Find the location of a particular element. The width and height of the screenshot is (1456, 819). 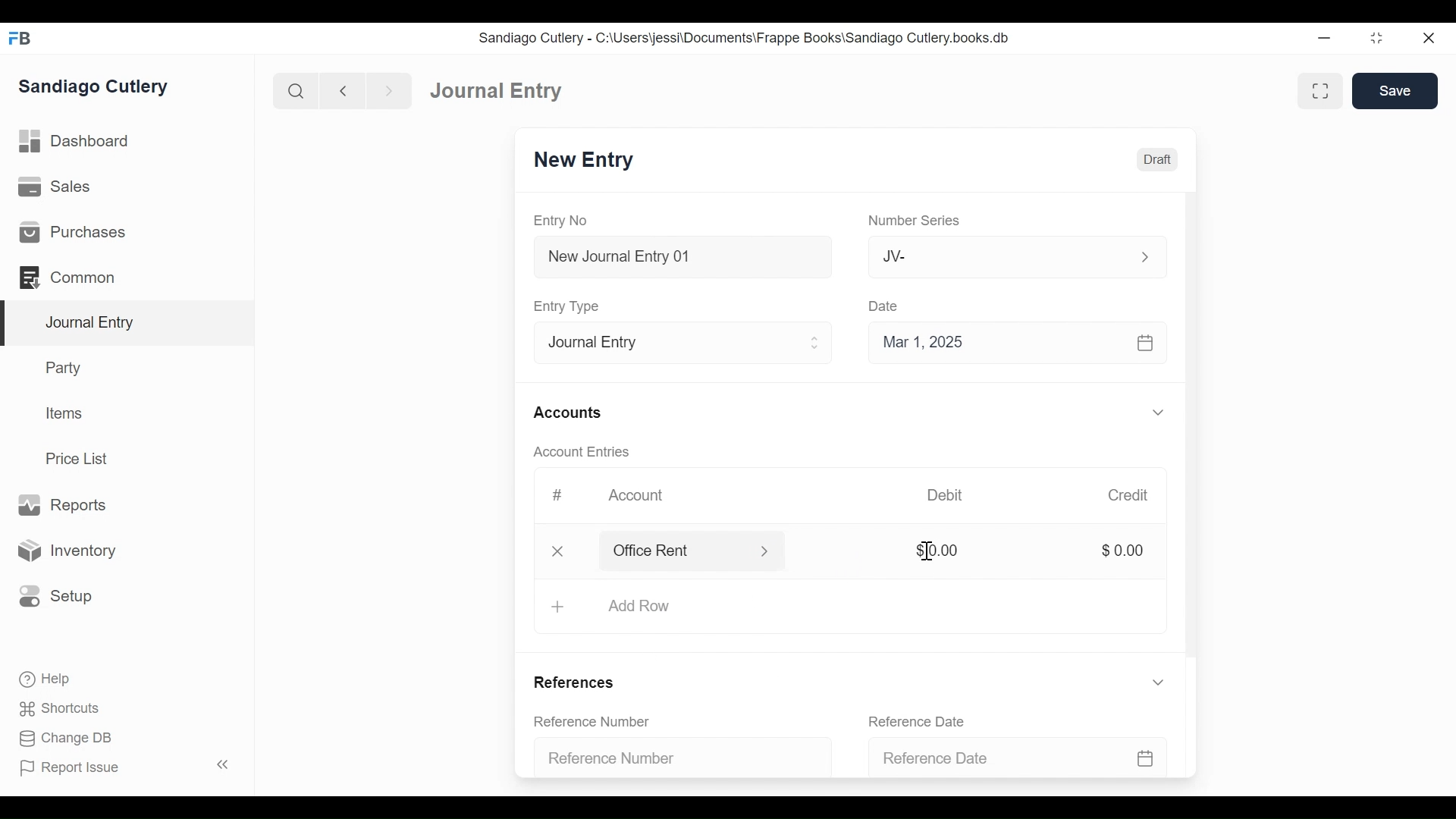

Draft is located at coordinates (1155, 159).